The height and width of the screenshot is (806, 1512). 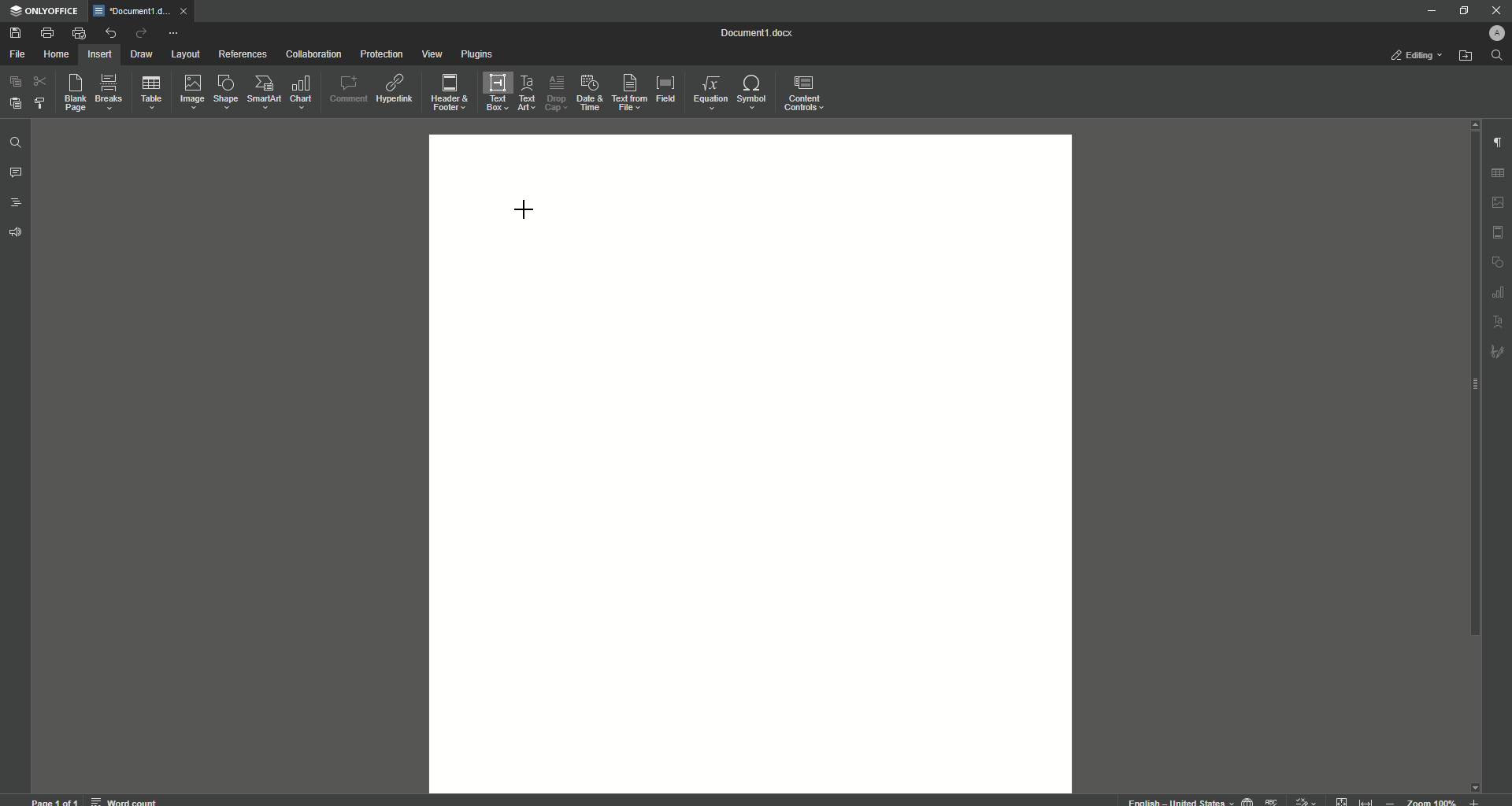 What do you see at coordinates (123, 799) in the screenshot?
I see `word count` at bounding box center [123, 799].